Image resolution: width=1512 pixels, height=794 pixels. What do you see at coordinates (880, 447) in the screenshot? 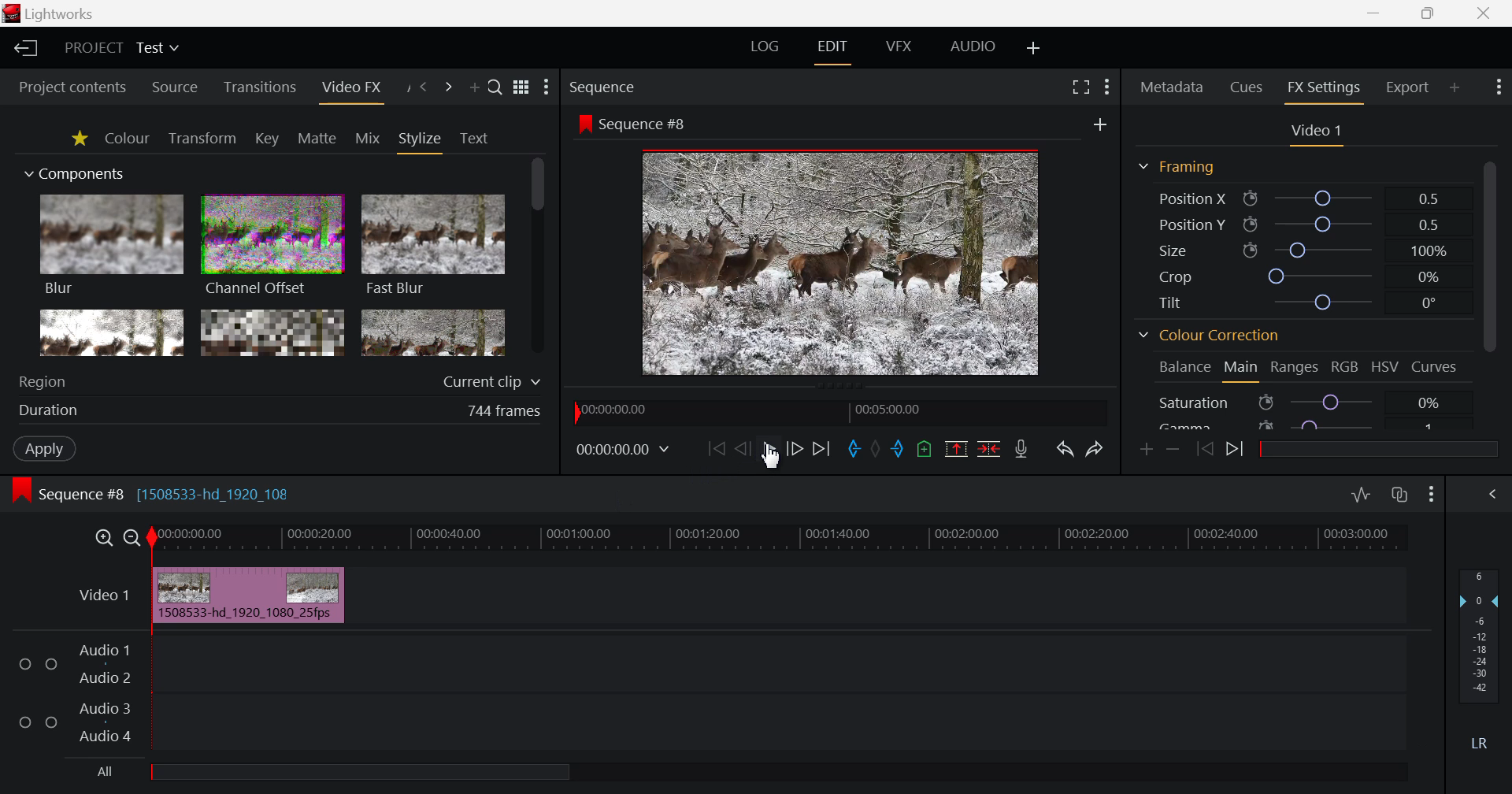
I see `Remove all marks` at bounding box center [880, 447].